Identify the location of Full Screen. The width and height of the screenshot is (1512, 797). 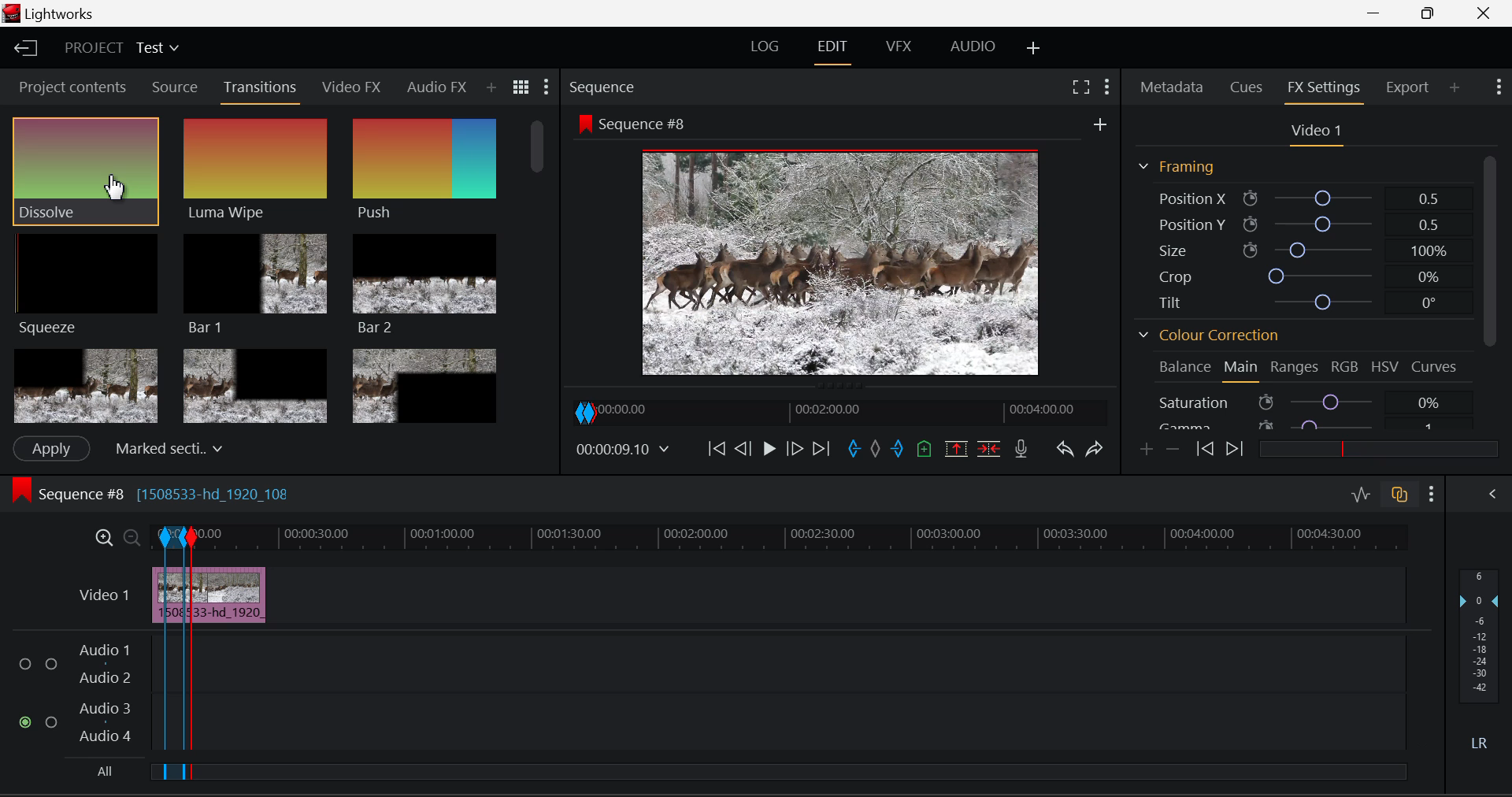
(1083, 87).